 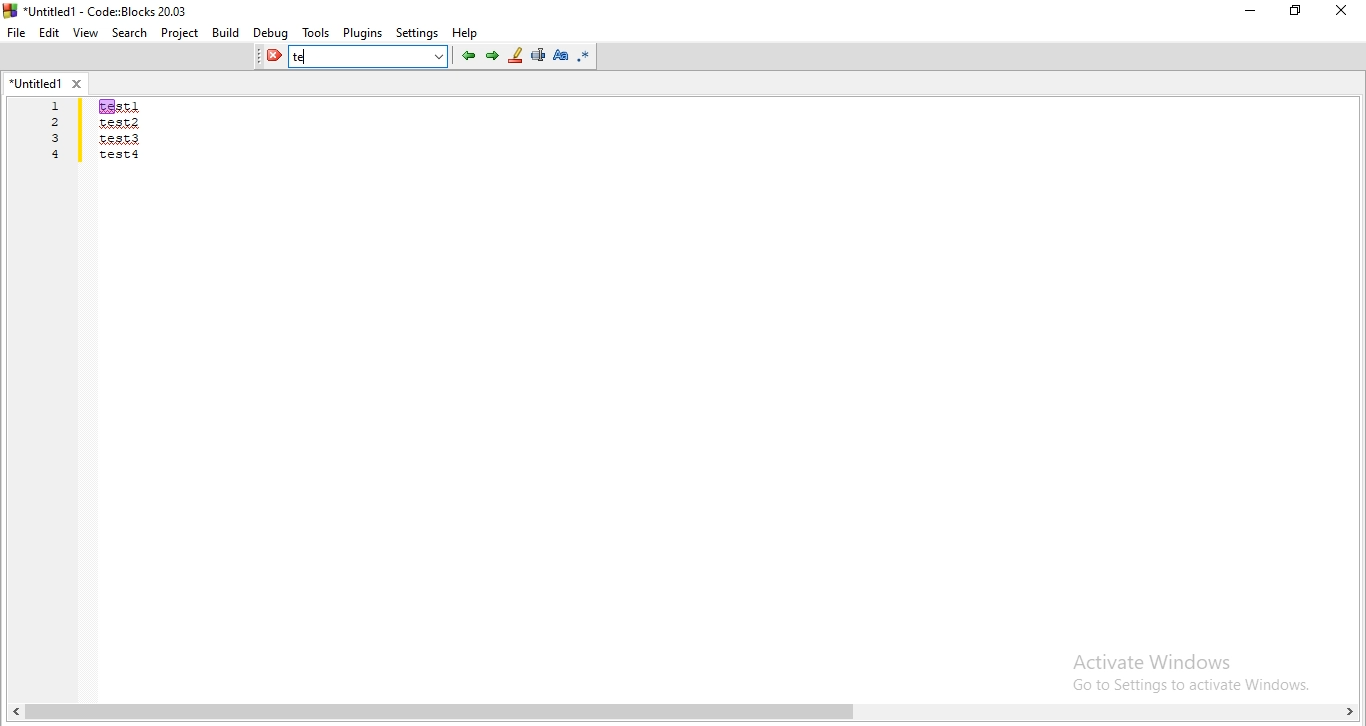 I want to click on te, so click(x=311, y=57).